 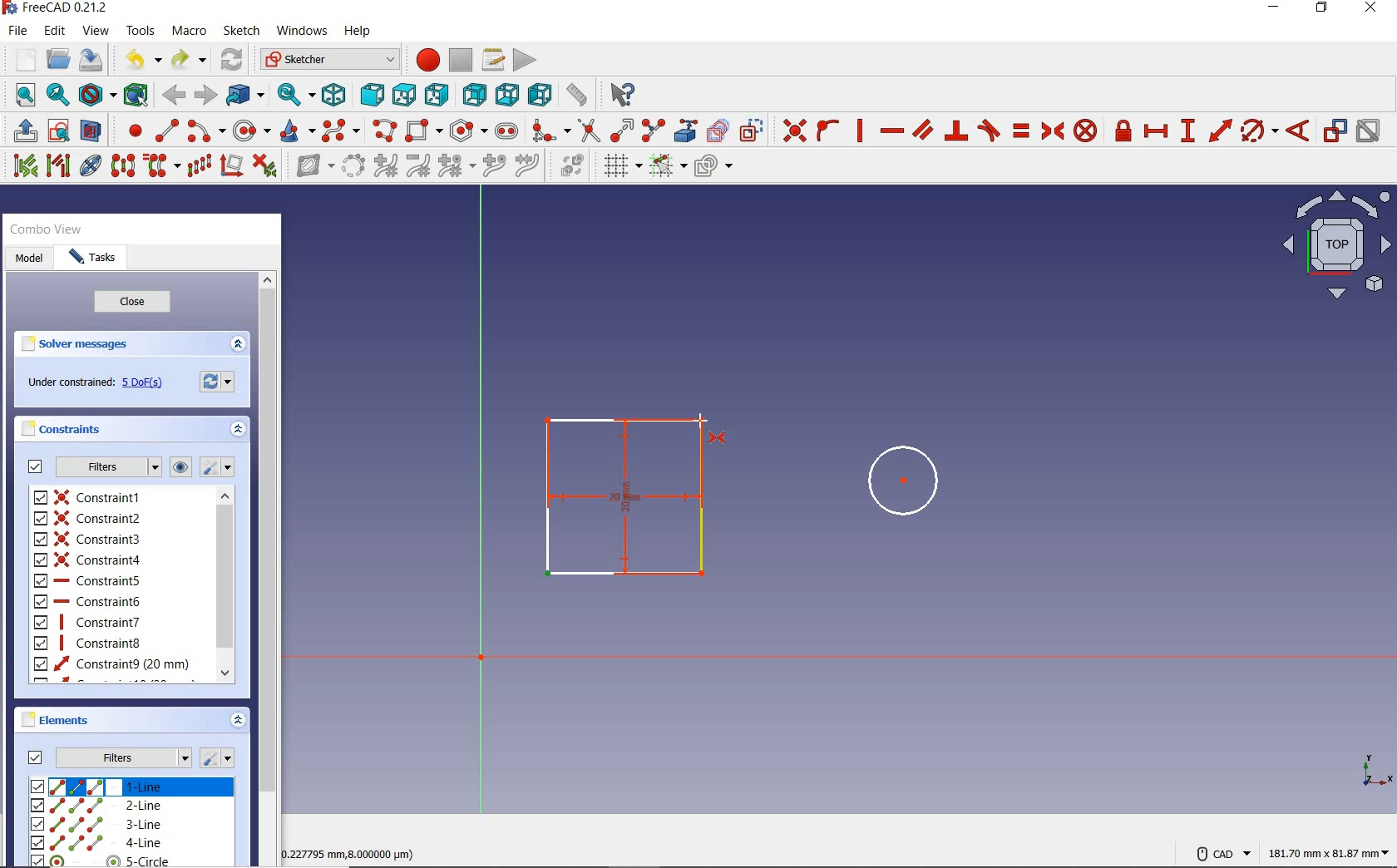 I want to click on constrain angle, so click(x=1300, y=131).